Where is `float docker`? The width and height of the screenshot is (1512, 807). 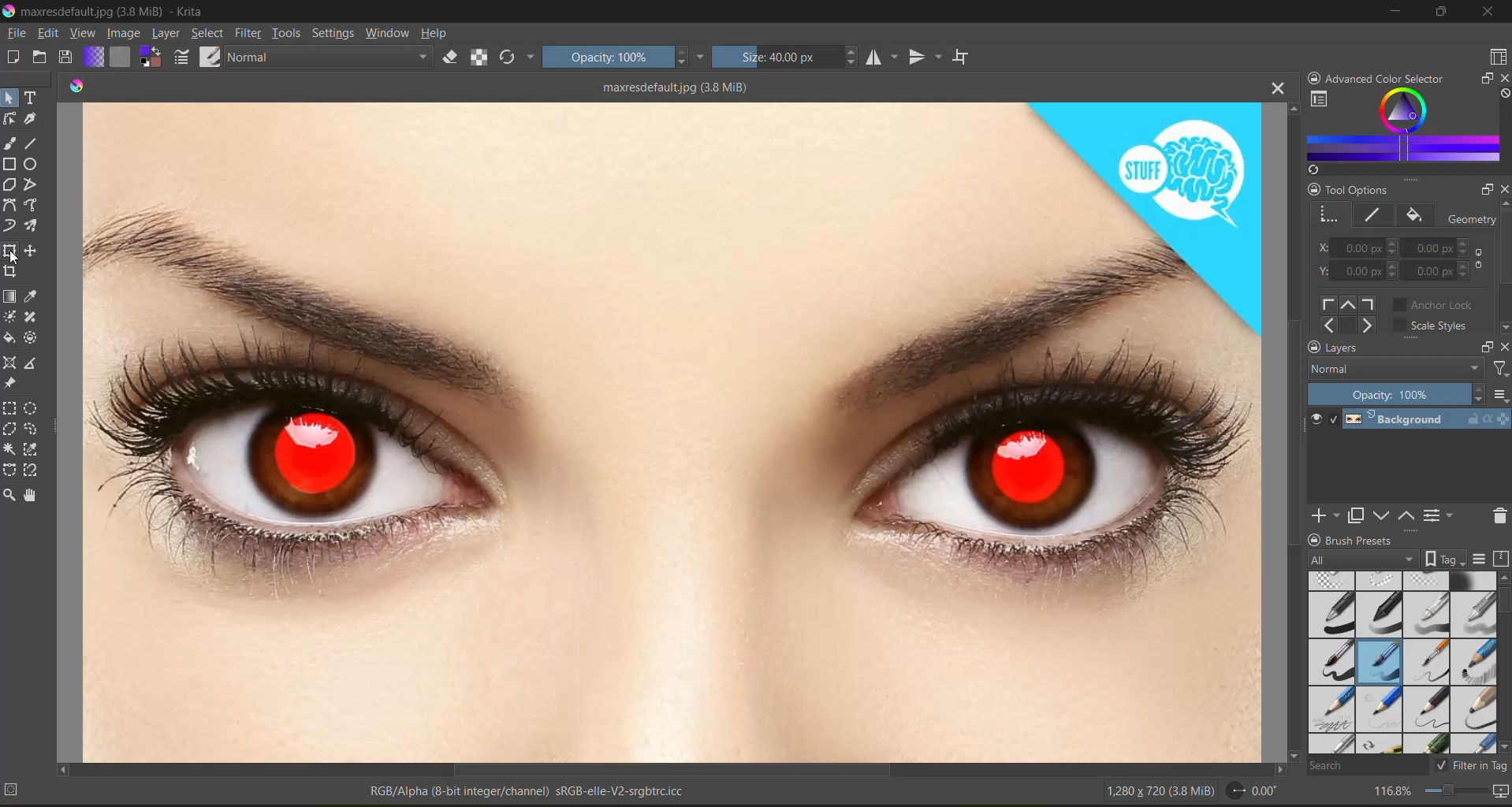
float docker is located at coordinates (1484, 190).